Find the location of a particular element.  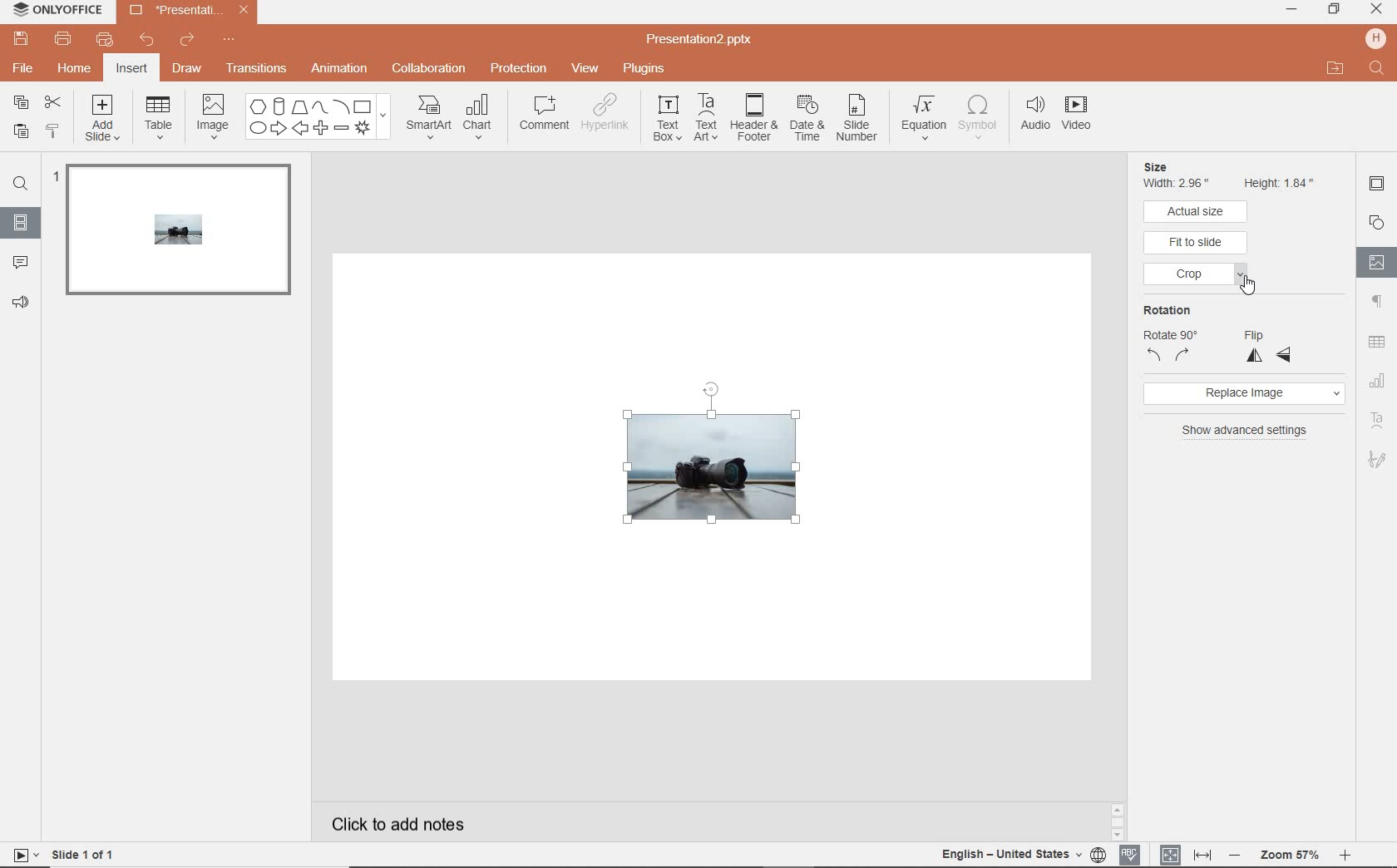

Presentation2.pptx is located at coordinates (714, 37).